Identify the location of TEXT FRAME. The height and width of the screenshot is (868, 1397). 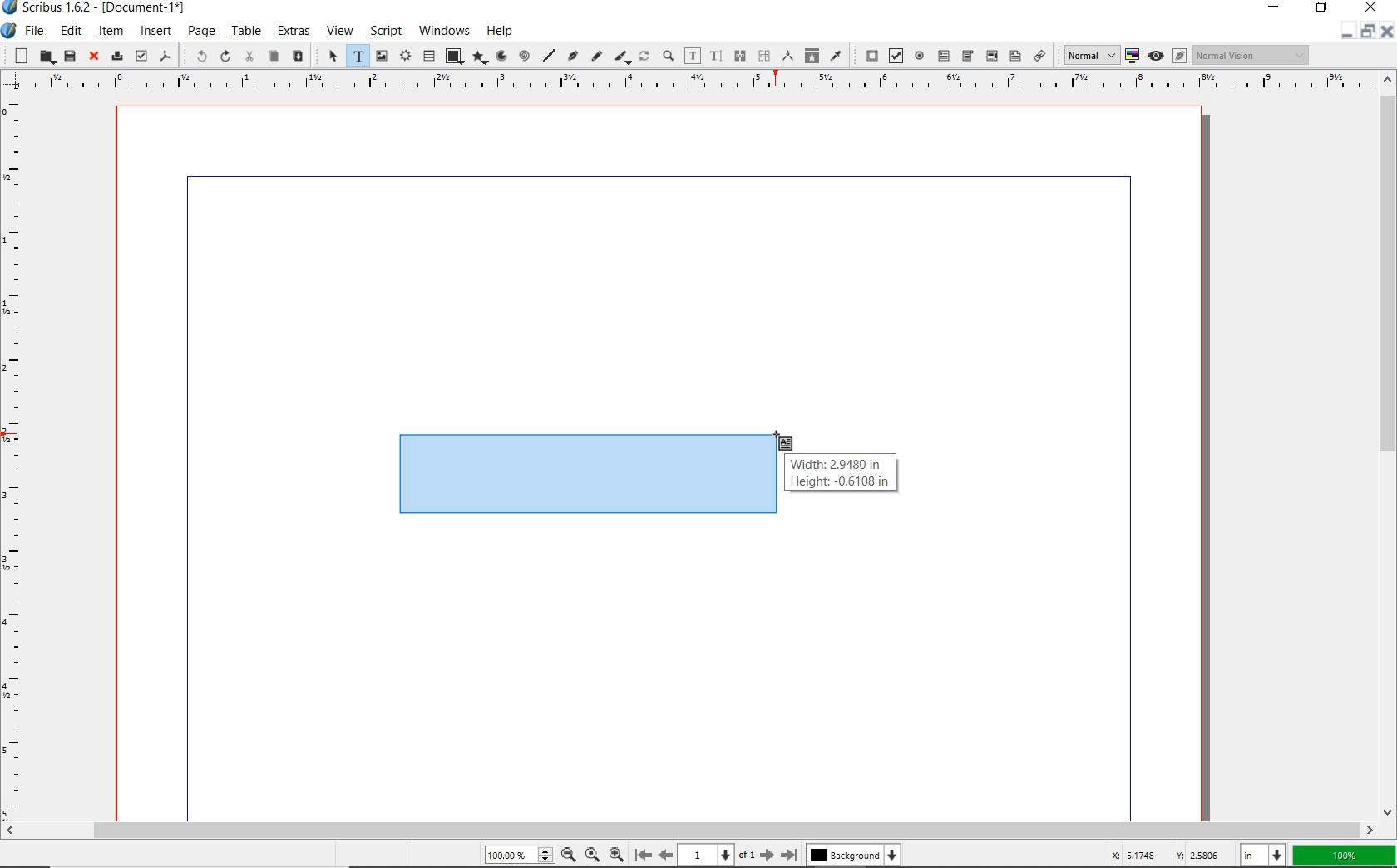
(585, 474).